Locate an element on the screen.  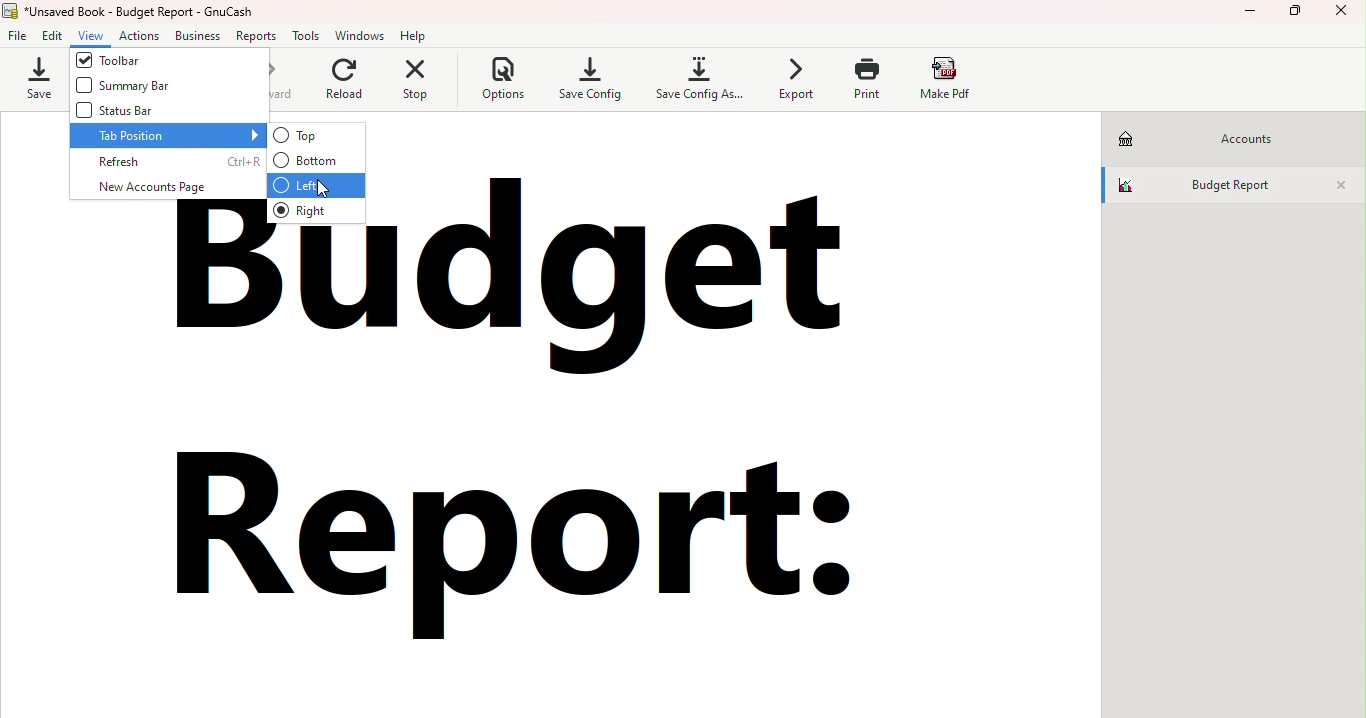
Print is located at coordinates (859, 82).